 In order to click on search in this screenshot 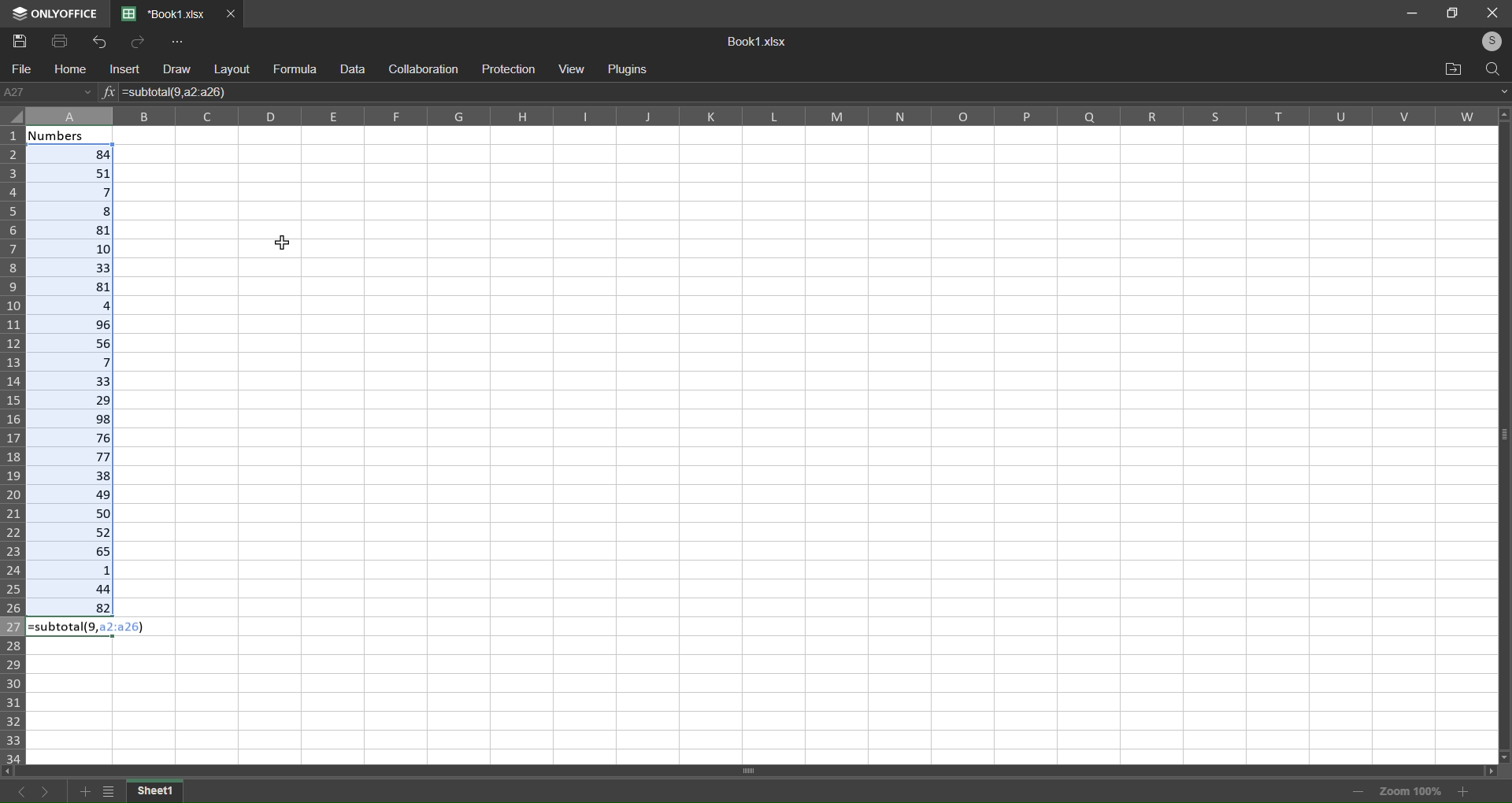, I will do `click(1491, 69)`.